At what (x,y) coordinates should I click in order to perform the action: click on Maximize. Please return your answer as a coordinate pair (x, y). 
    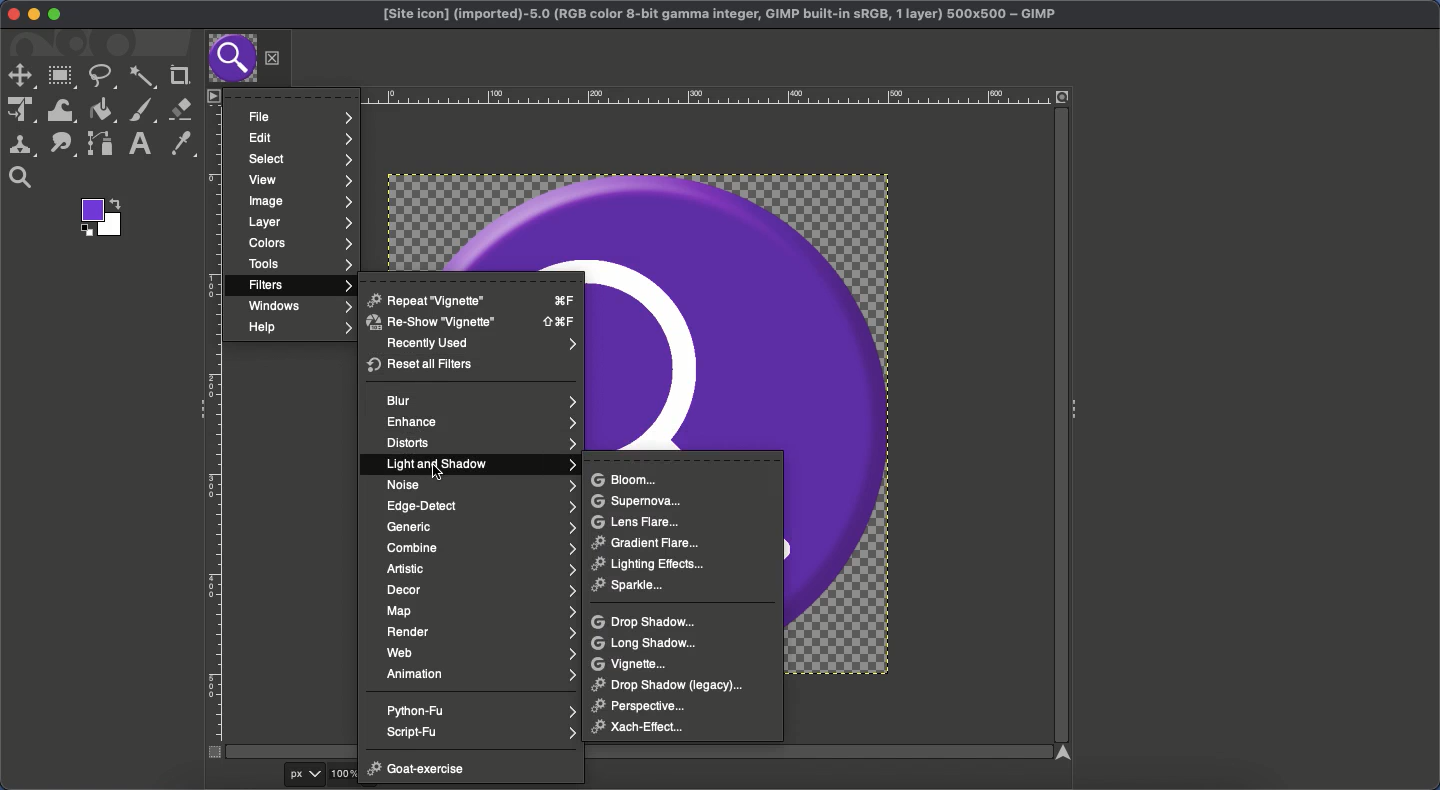
    Looking at the image, I should click on (55, 15).